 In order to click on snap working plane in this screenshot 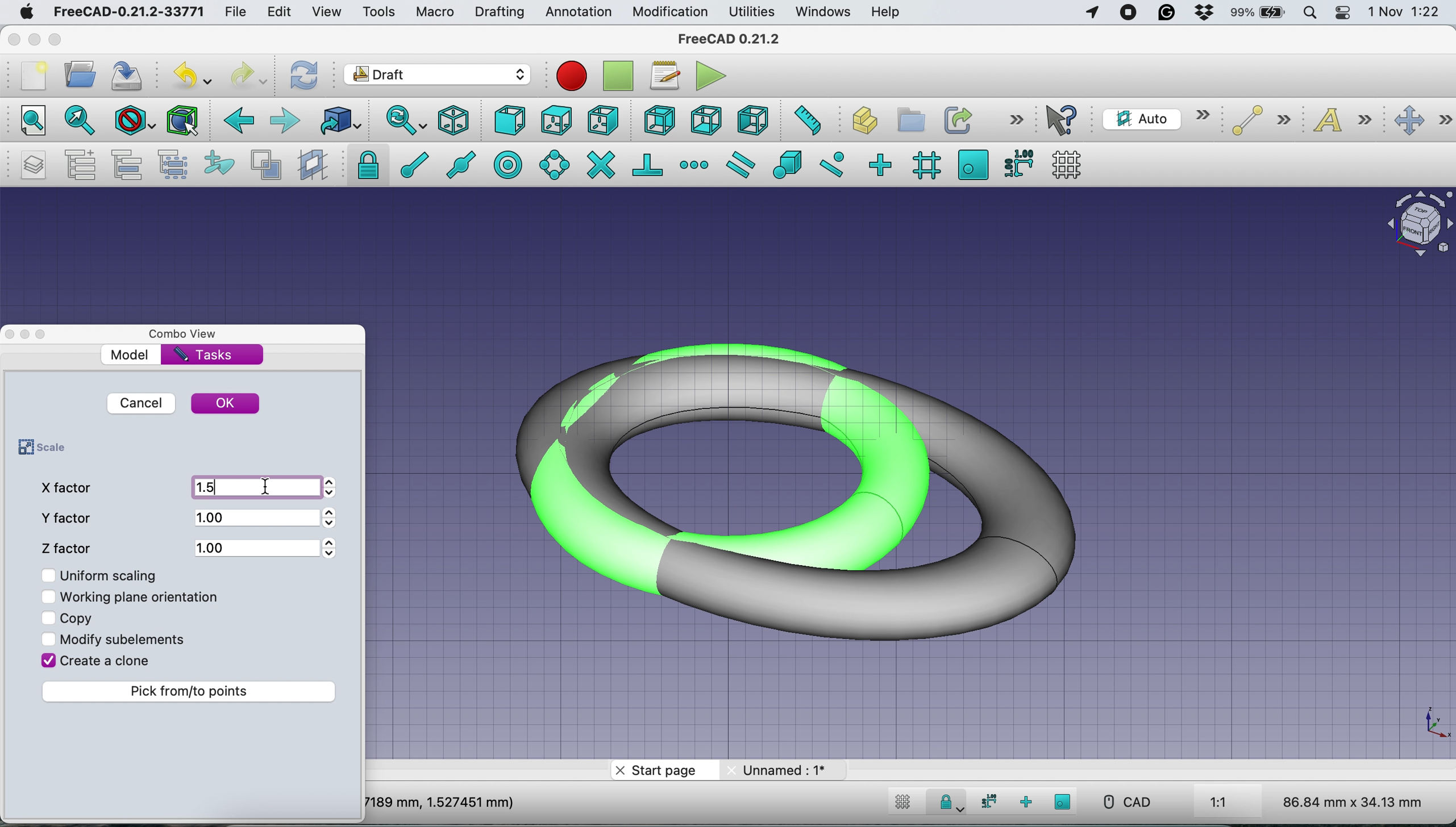, I will do `click(973, 164)`.